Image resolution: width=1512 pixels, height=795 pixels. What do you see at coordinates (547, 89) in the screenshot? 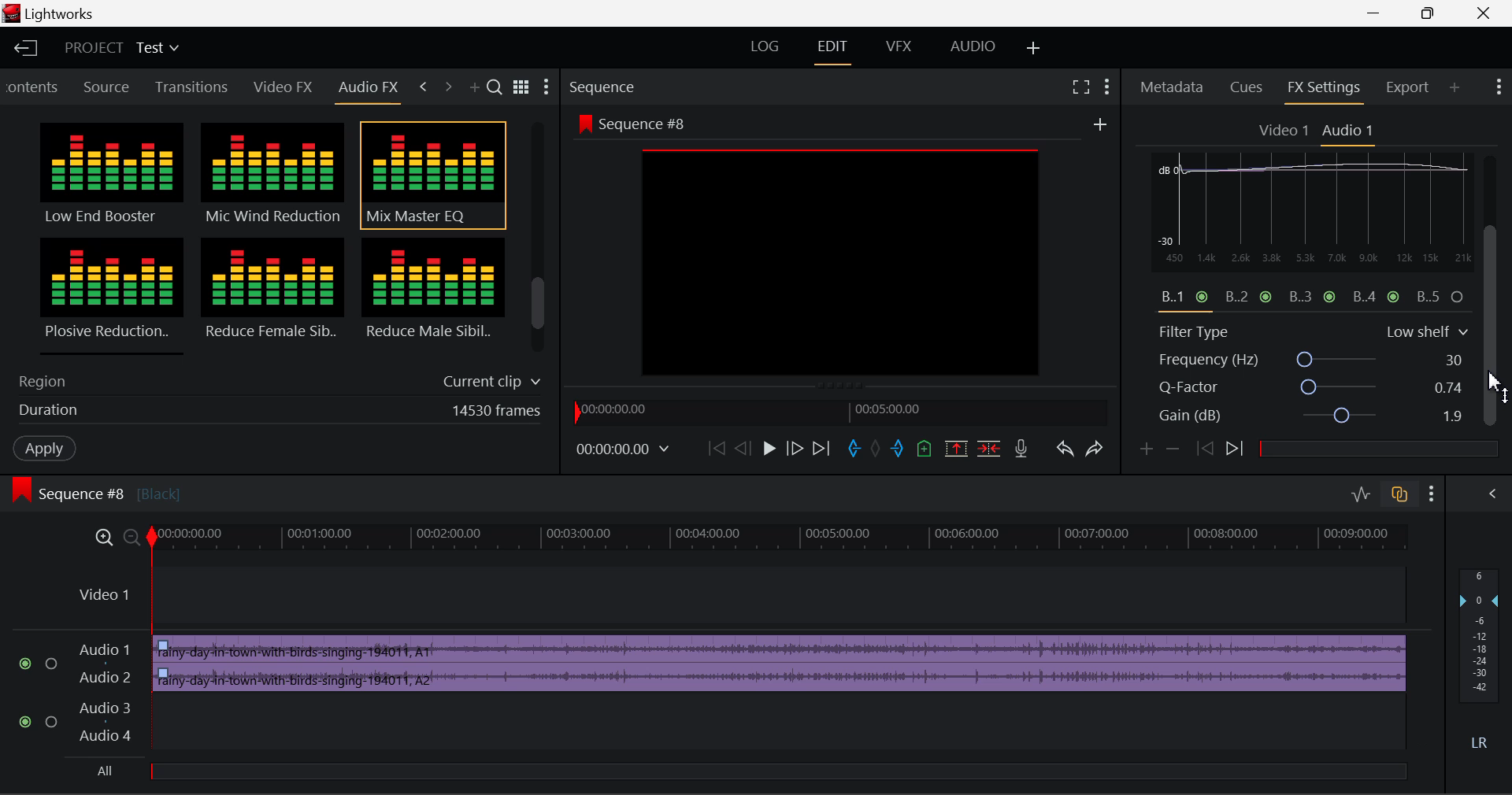
I see `Settings` at bounding box center [547, 89].